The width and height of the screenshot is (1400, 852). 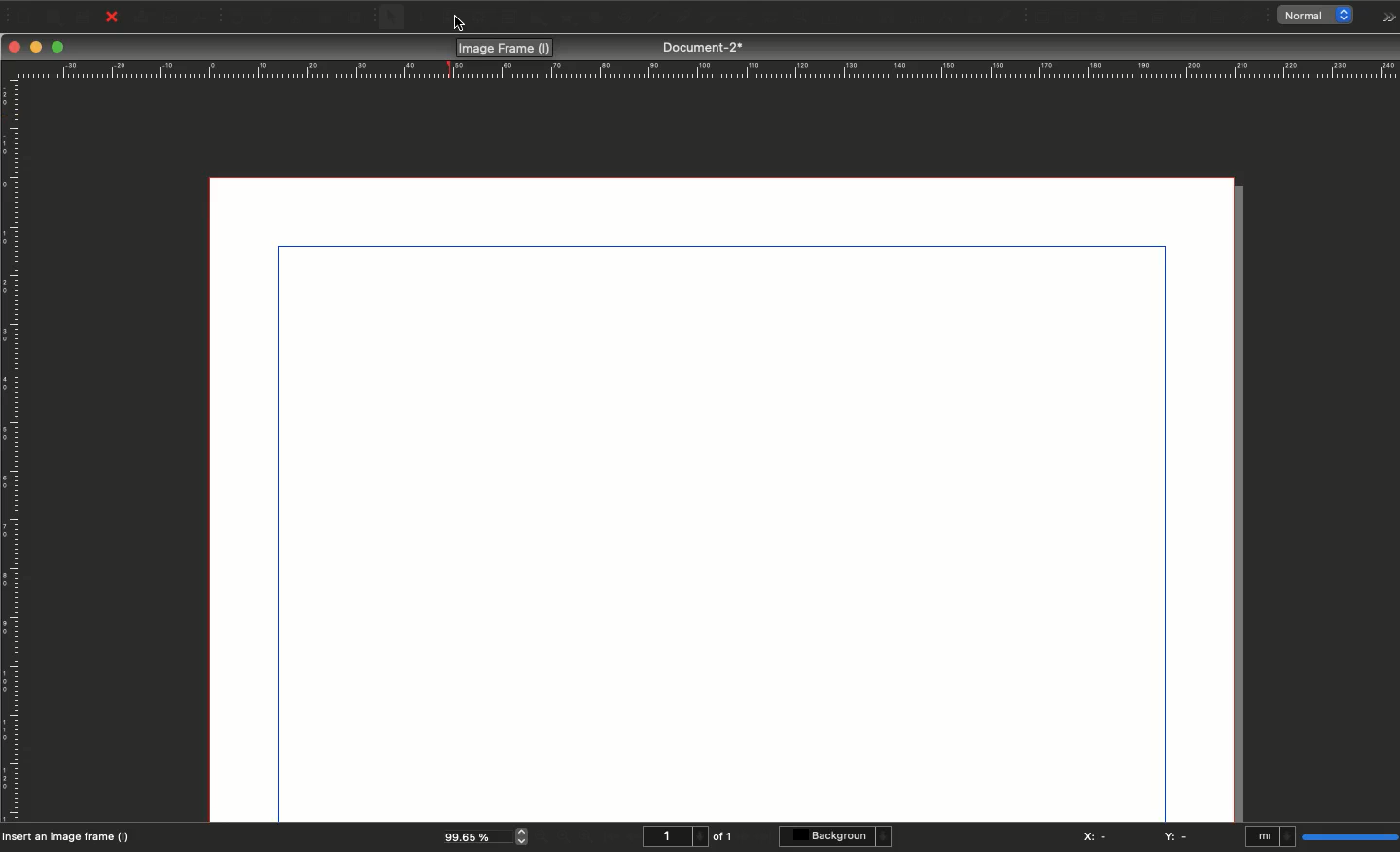 I want to click on Spiral, so click(x=628, y=19).